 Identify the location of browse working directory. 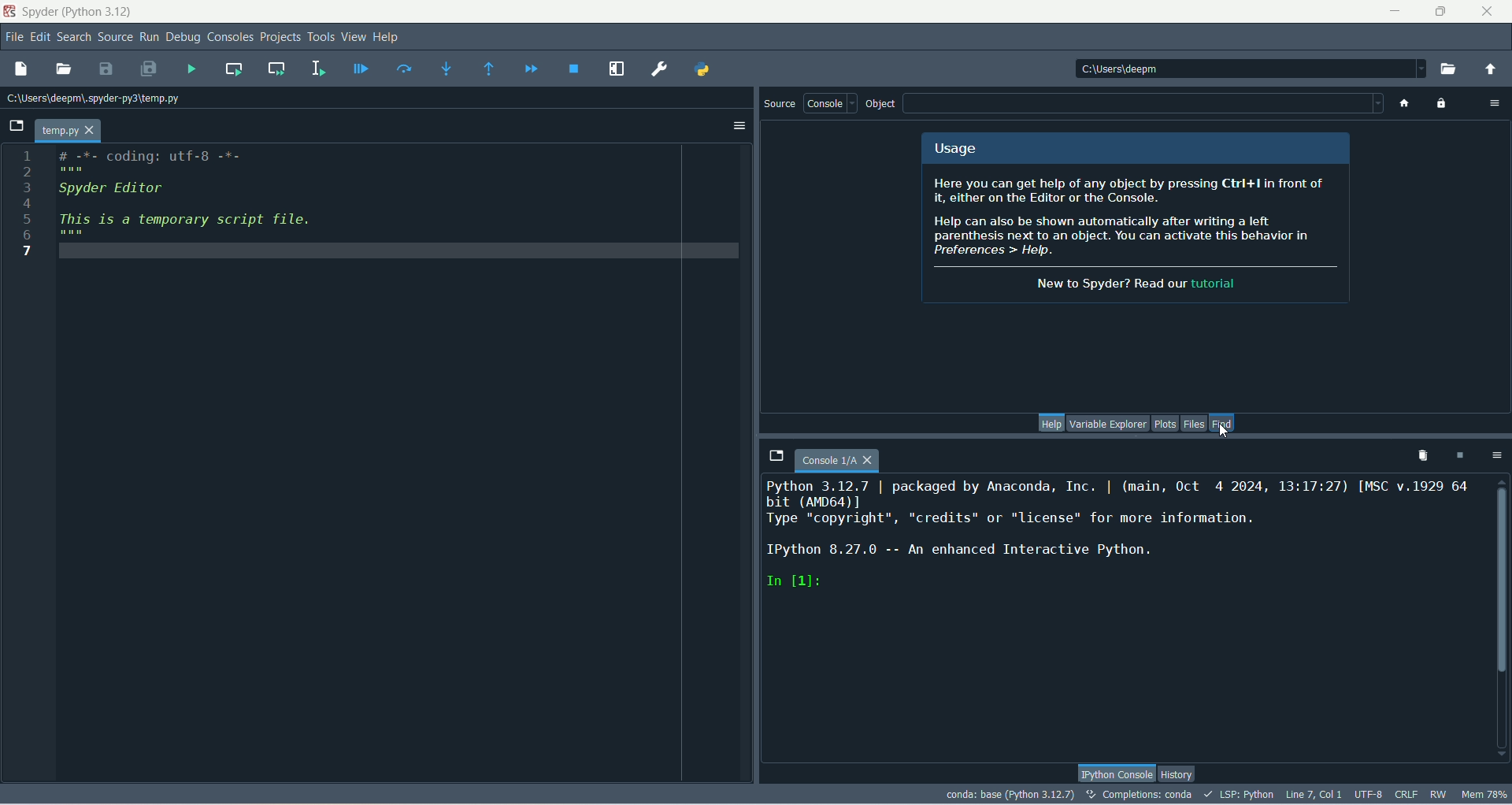
(1452, 72).